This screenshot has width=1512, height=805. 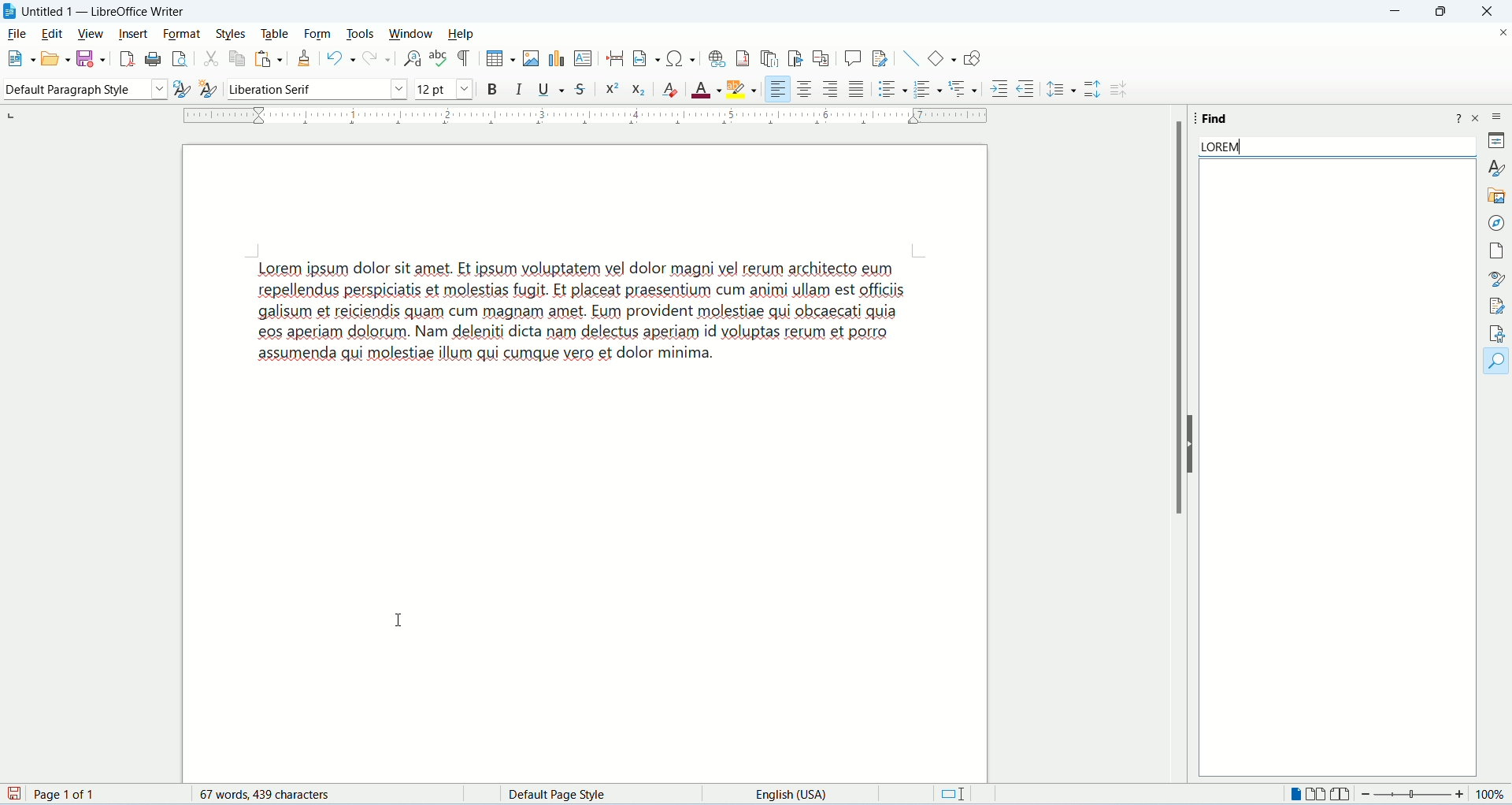 I want to click on undo, so click(x=334, y=60).